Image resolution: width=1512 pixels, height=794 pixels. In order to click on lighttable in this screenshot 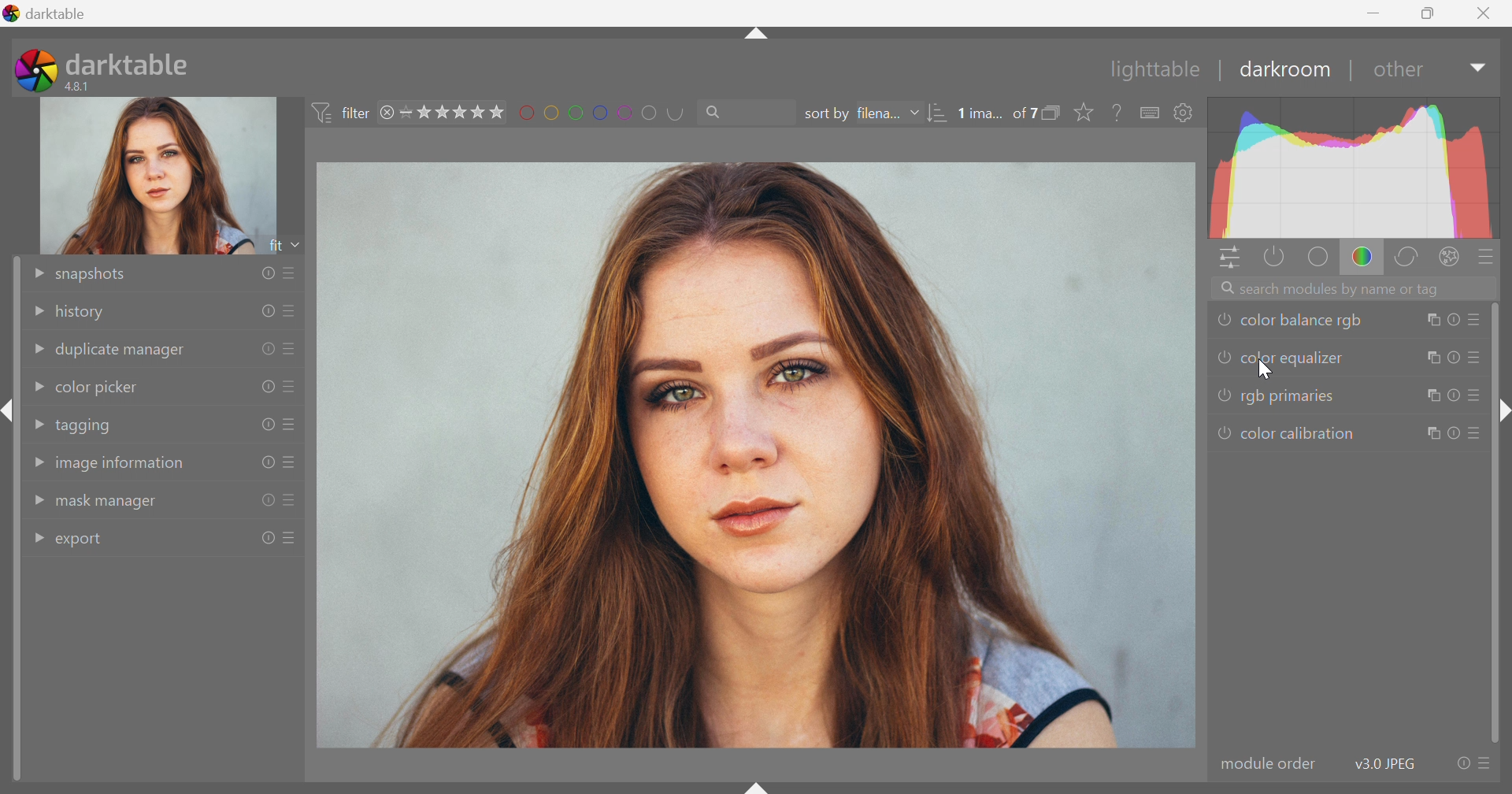, I will do `click(1150, 70)`.